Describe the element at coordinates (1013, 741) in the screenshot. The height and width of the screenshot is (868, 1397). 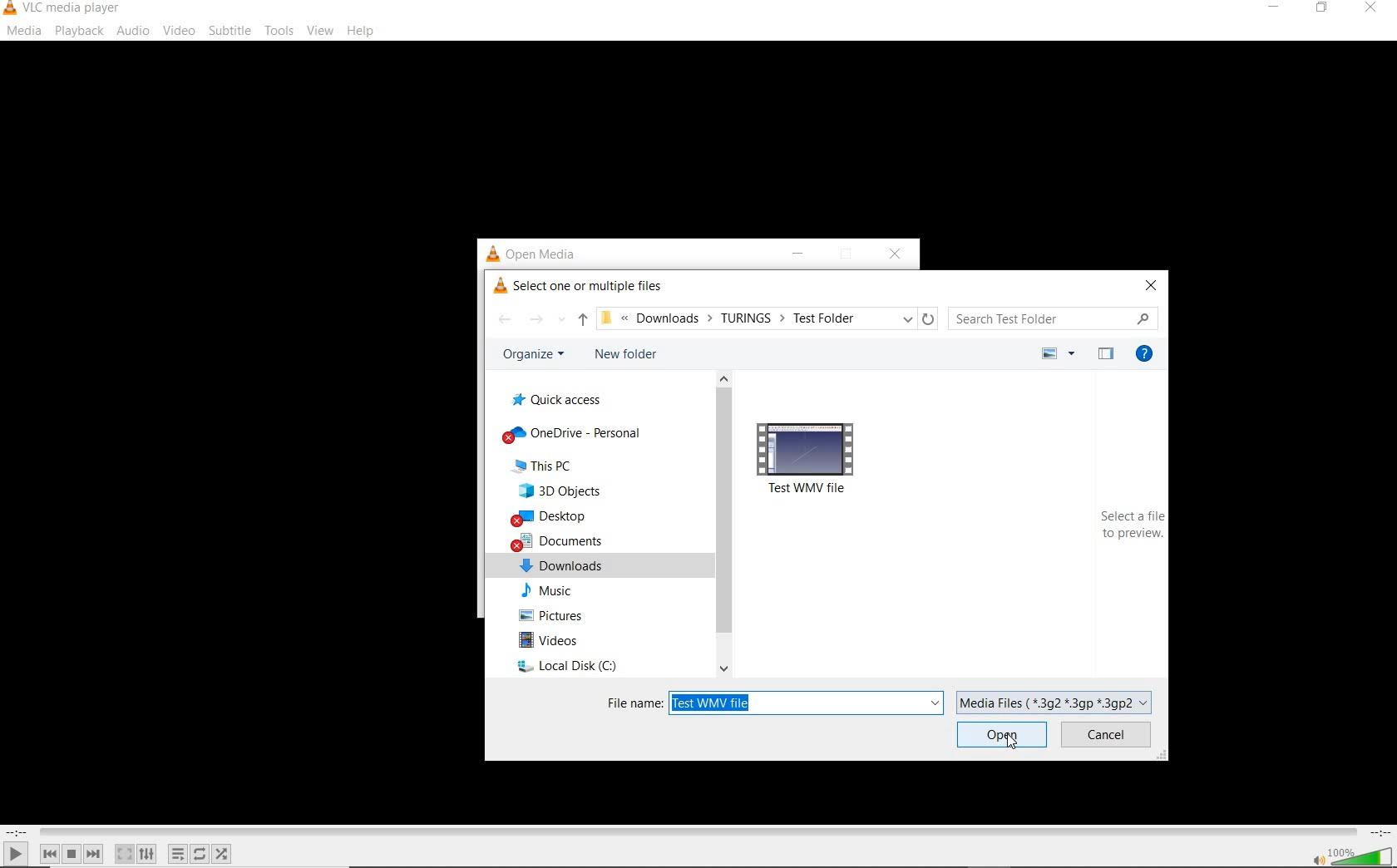
I see `cursor` at that location.